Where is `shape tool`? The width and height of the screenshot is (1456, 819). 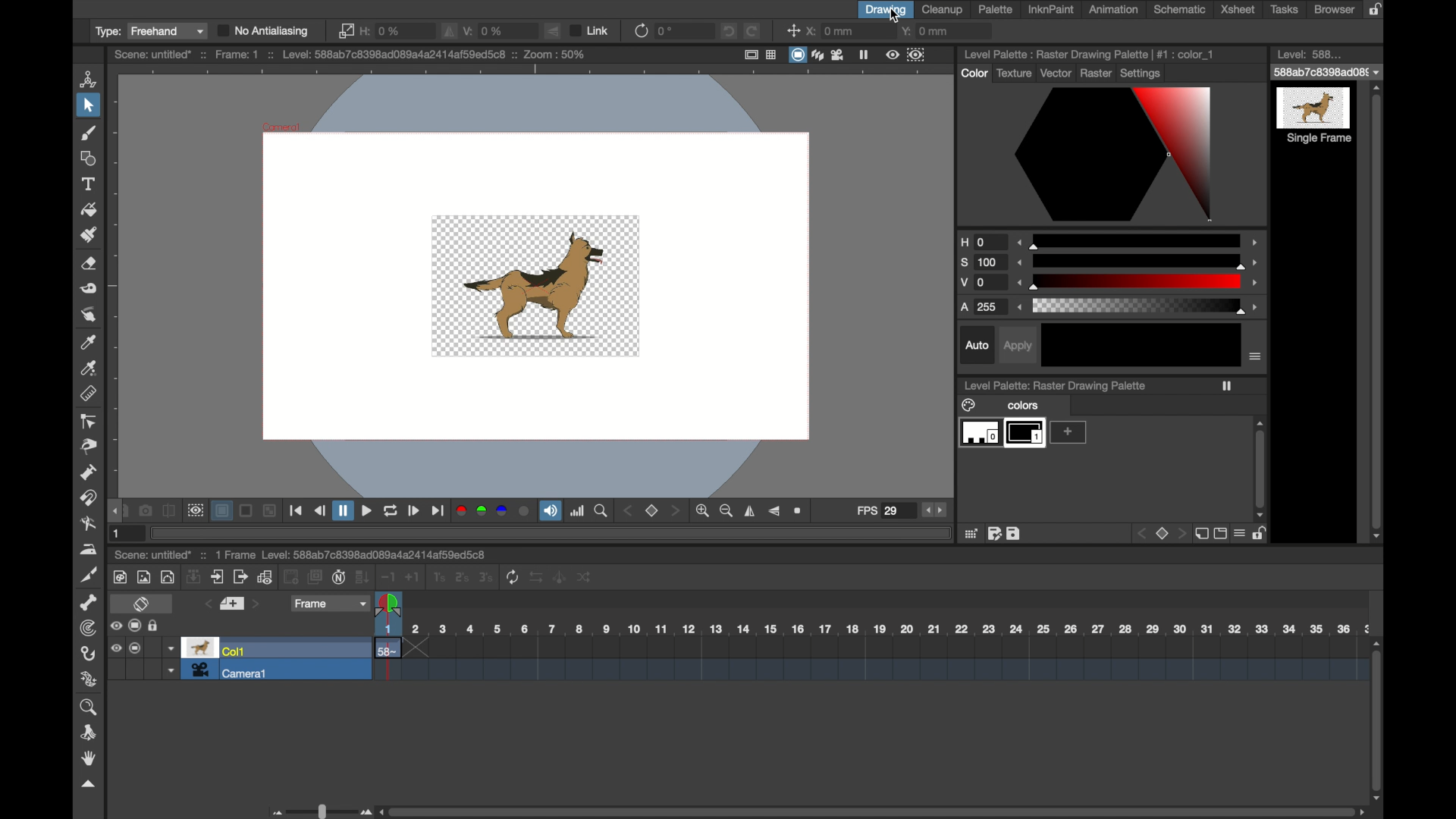 shape tool is located at coordinates (89, 158).